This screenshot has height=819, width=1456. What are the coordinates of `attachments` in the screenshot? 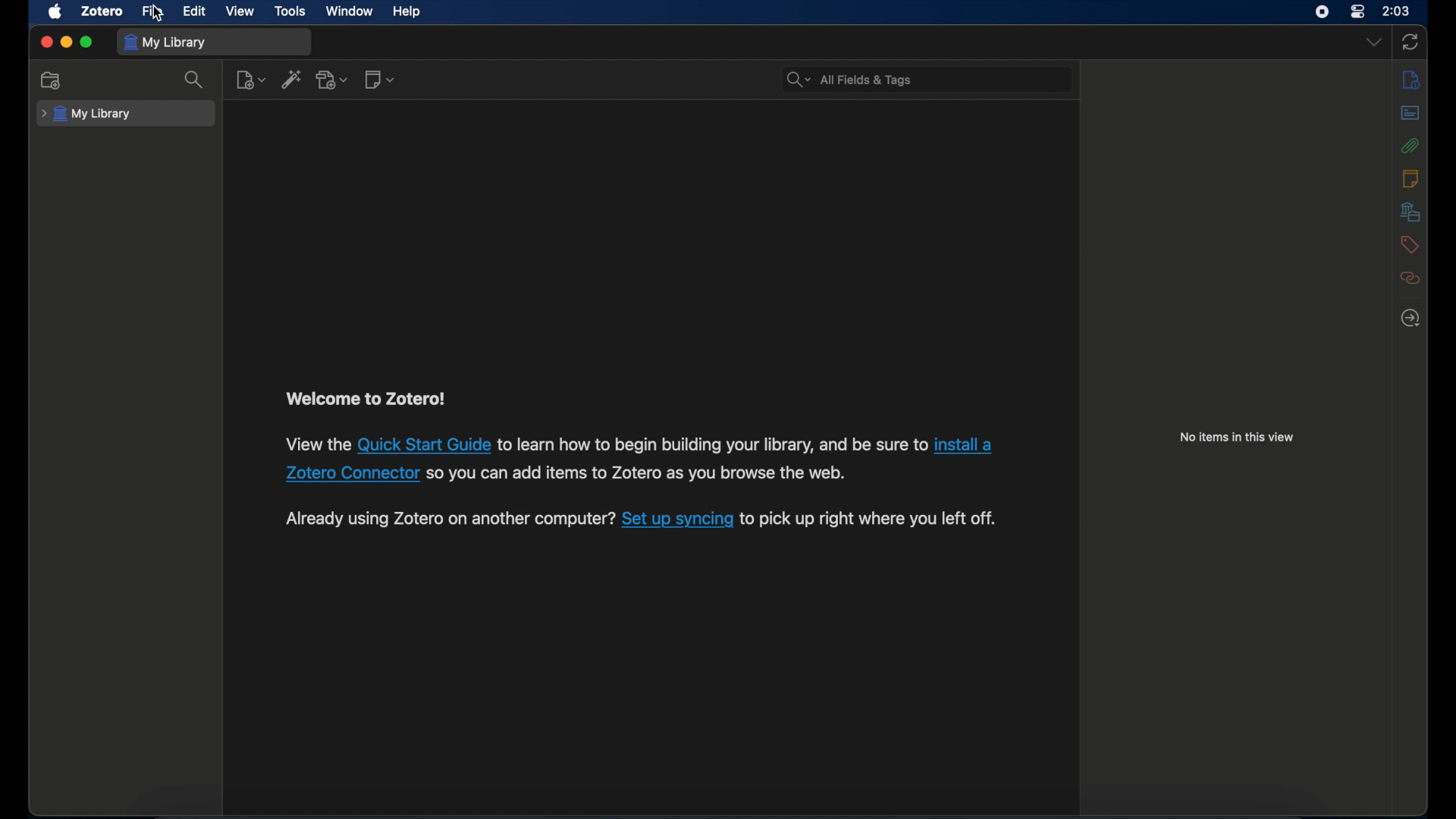 It's located at (1411, 146).